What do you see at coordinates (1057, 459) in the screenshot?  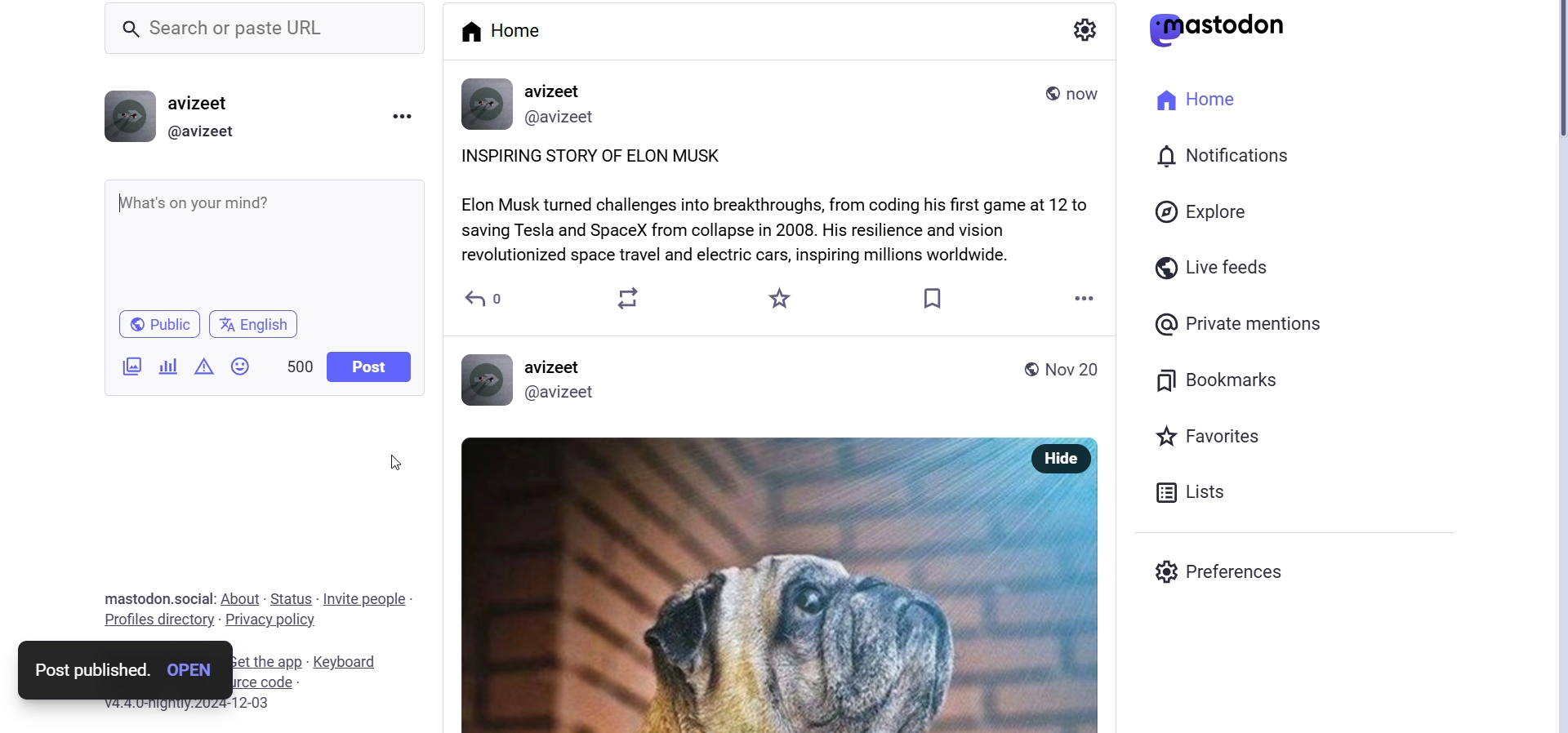 I see `Hide` at bounding box center [1057, 459].